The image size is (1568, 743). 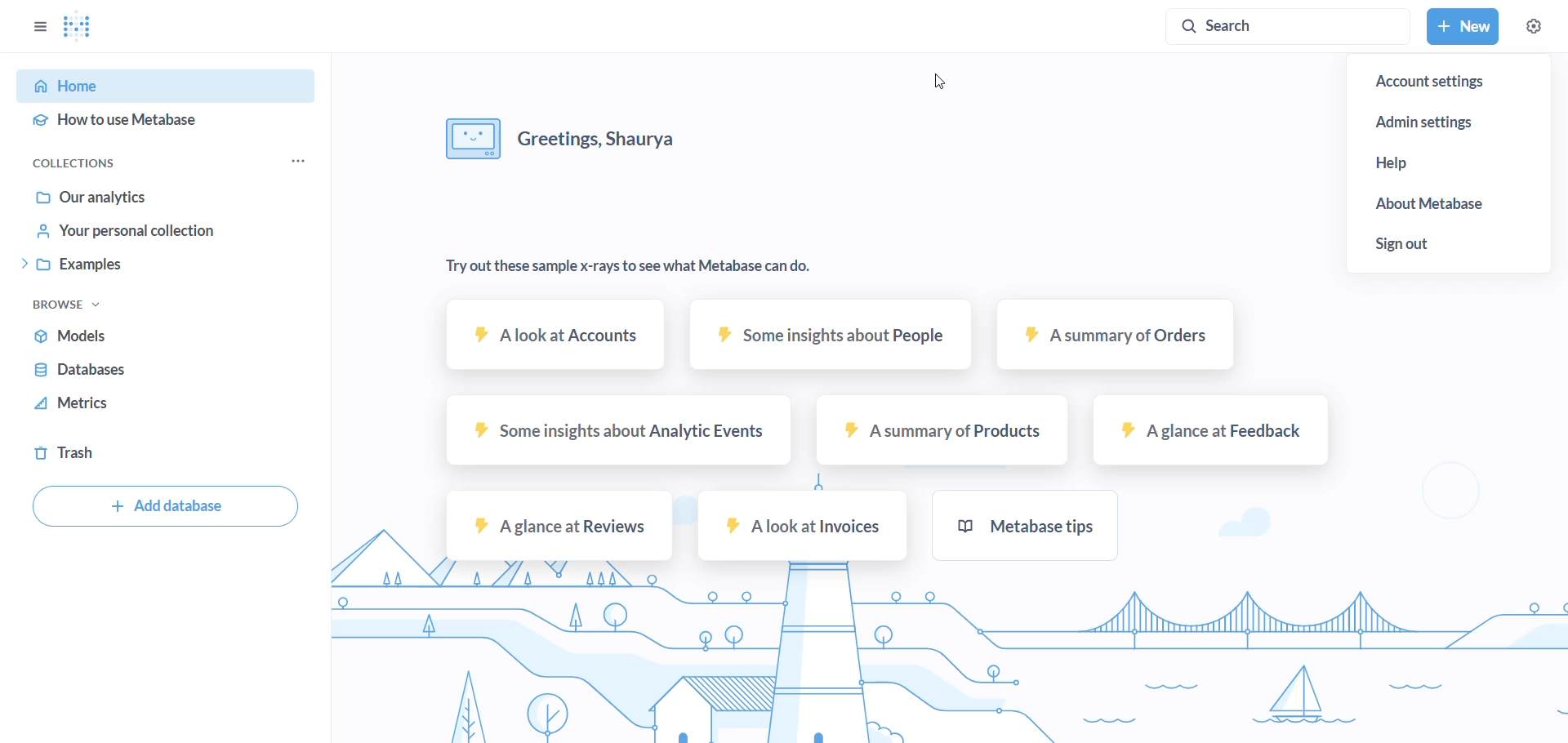 I want to click on collections, so click(x=91, y=162).